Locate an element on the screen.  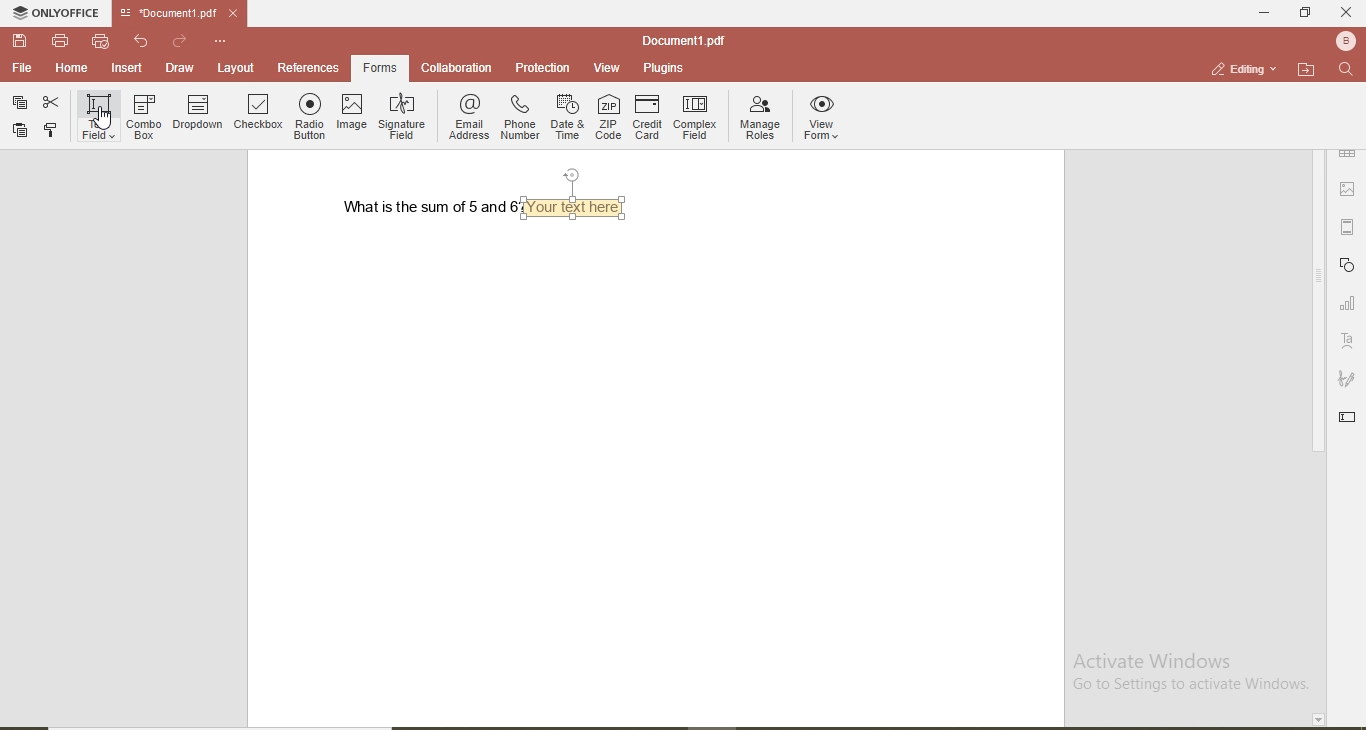
combo box is located at coordinates (143, 118).